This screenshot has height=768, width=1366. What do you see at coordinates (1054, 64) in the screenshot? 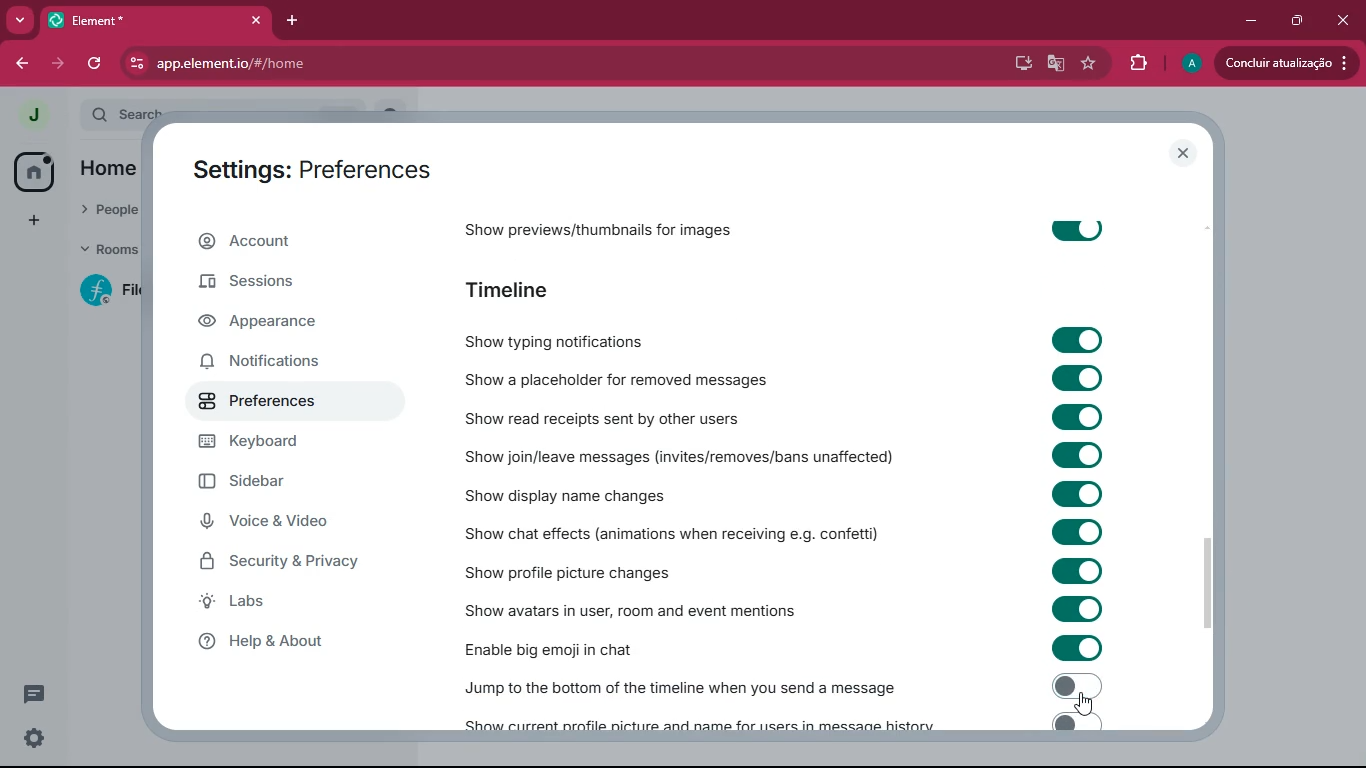
I see `google translate` at bounding box center [1054, 64].